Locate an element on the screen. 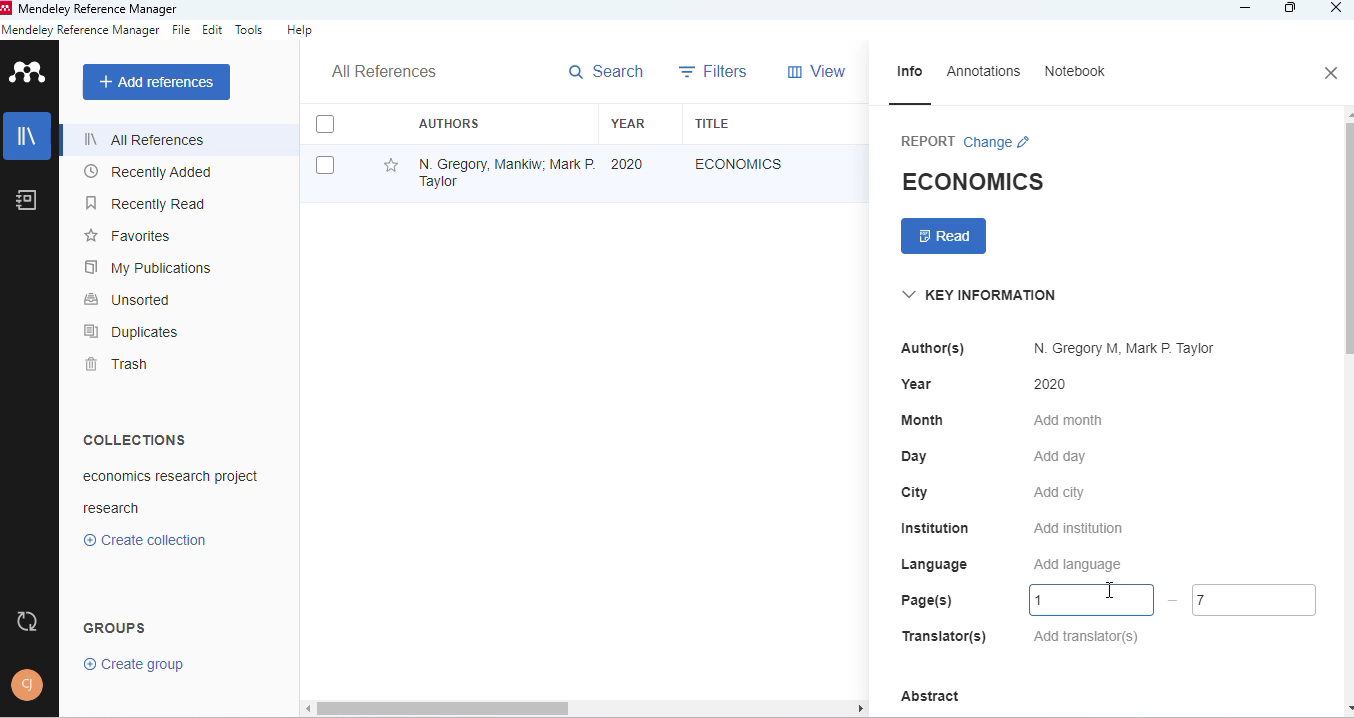  library is located at coordinates (28, 136).